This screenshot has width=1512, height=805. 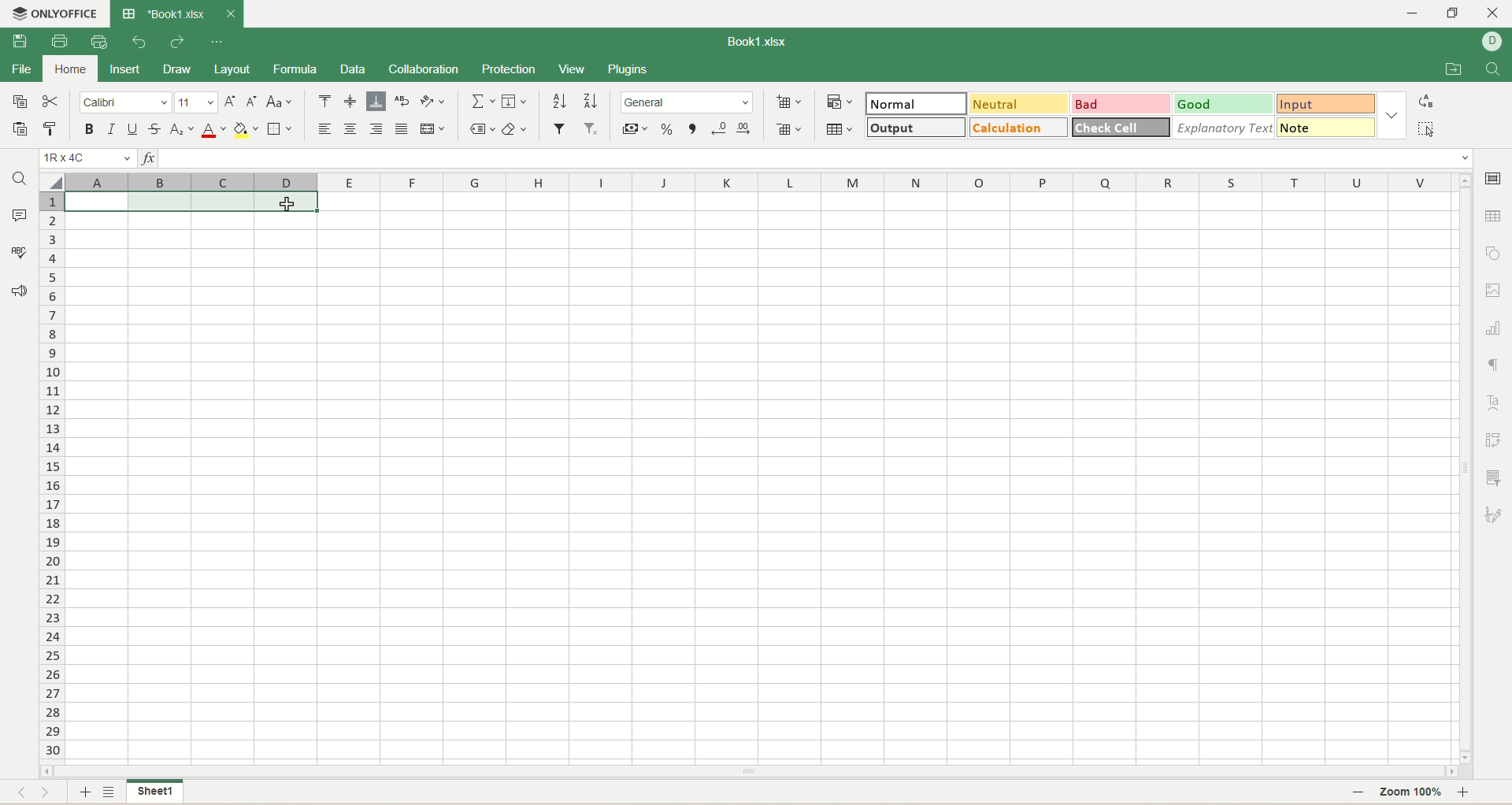 What do you see at coordinates (134, 131) in the screenshot?
I see `underline` at bounding box center [134, 131].